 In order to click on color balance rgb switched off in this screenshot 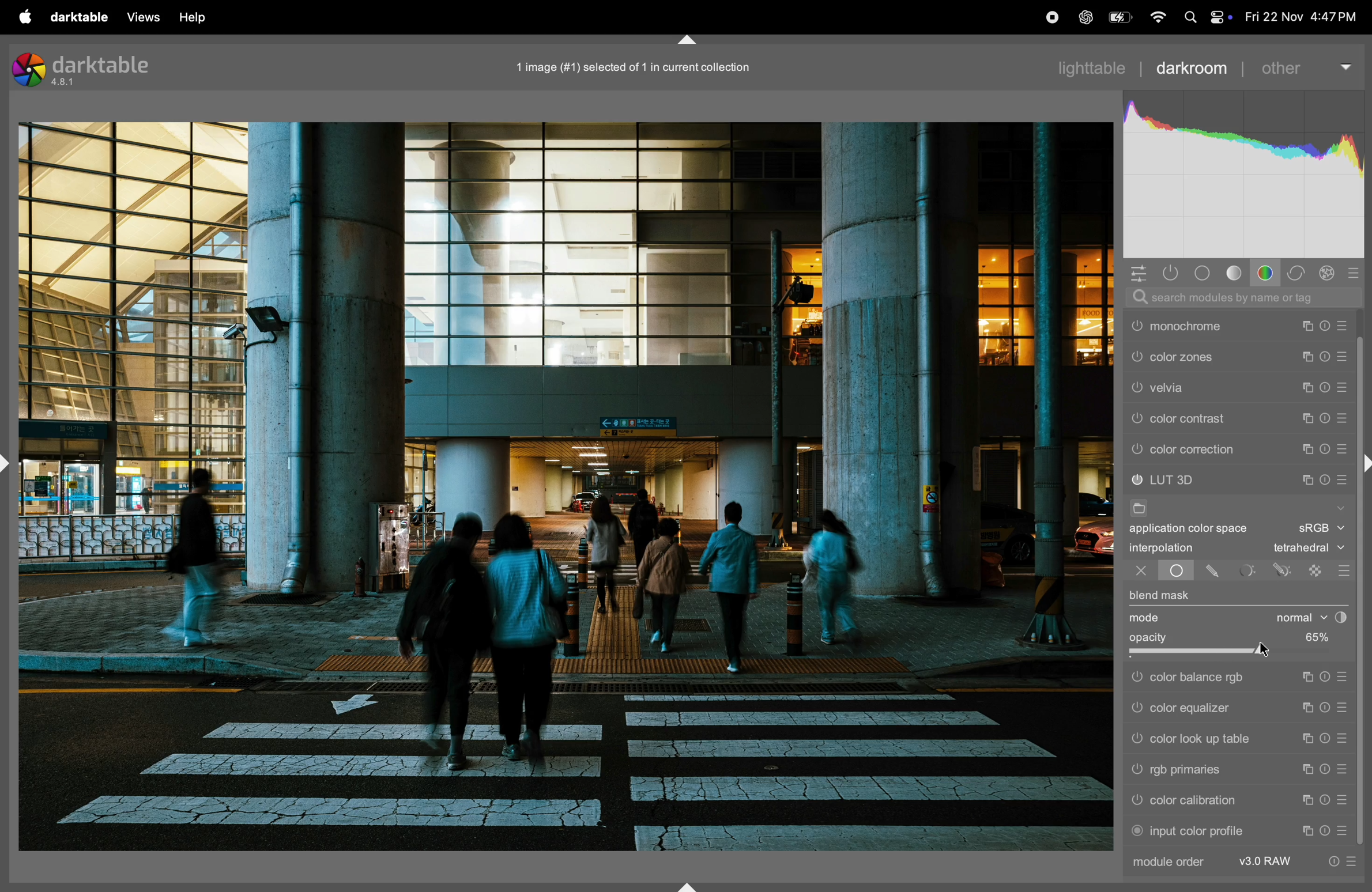, I will do `click(1136, 678)`.